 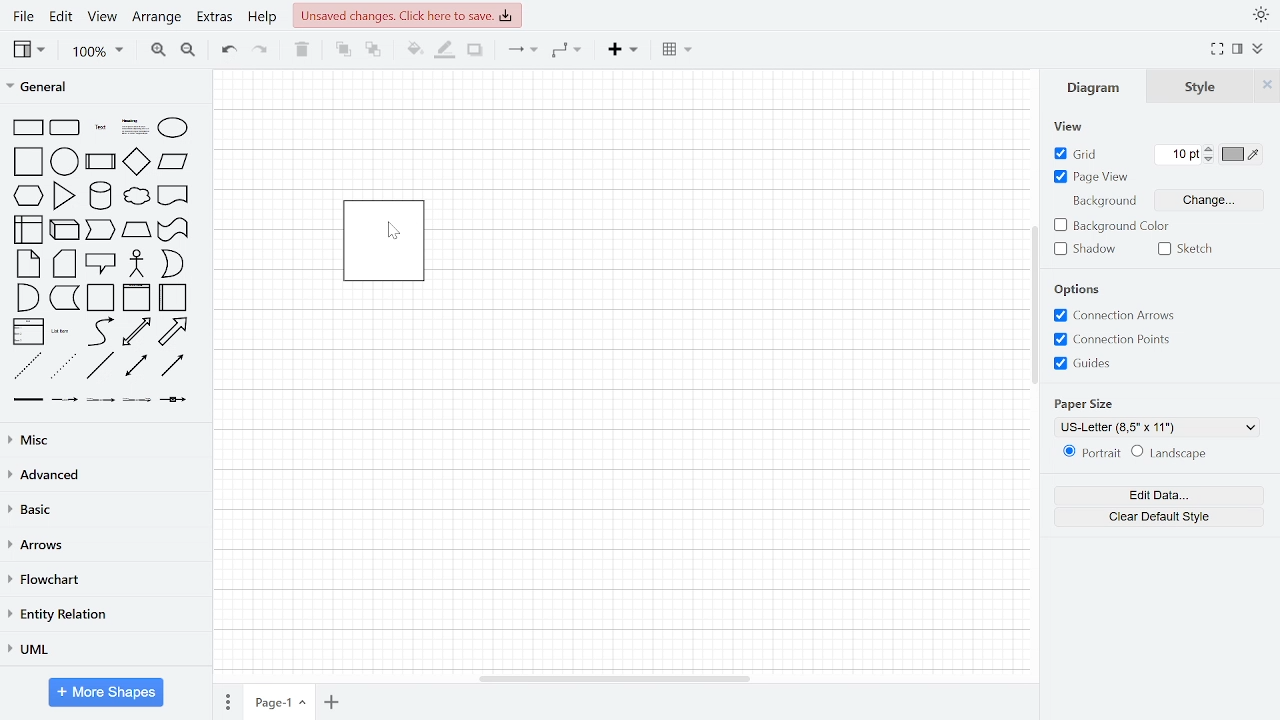 I want to click on zoom, so click(x=99, y=52).